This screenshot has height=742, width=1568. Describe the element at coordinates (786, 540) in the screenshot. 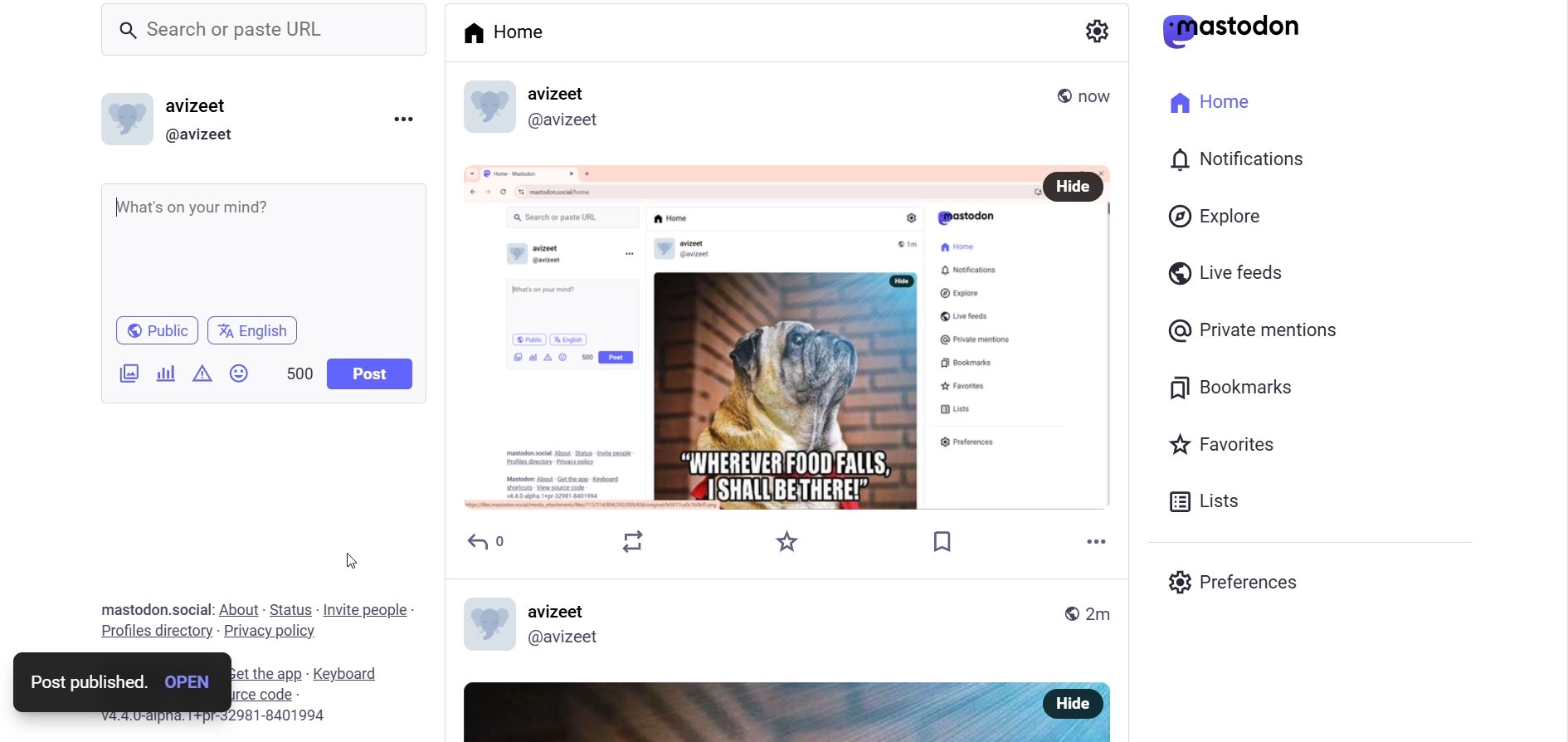

I see `Favorite` at that location.